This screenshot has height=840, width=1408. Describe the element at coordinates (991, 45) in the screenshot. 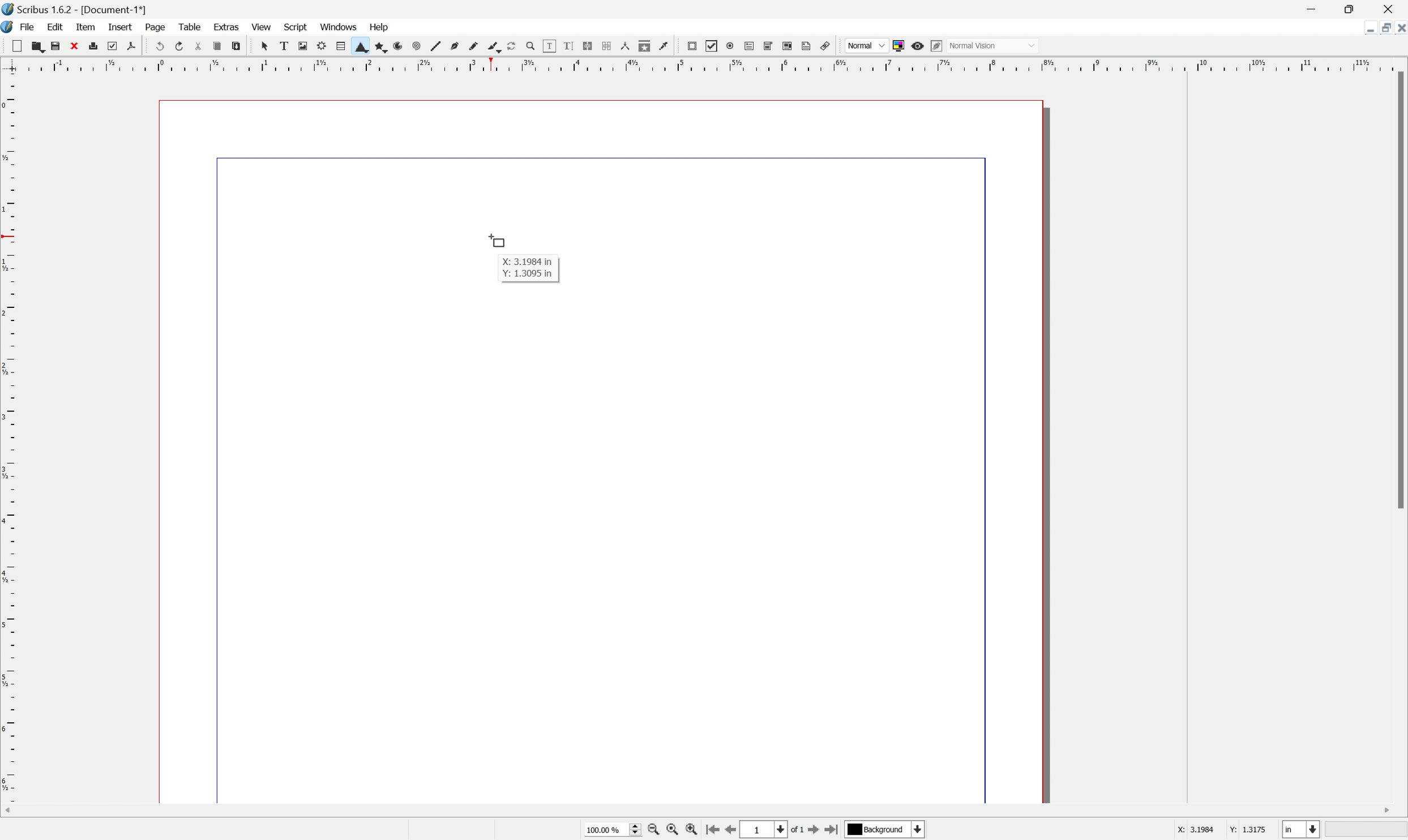

I see `Normal Vision` at that location.